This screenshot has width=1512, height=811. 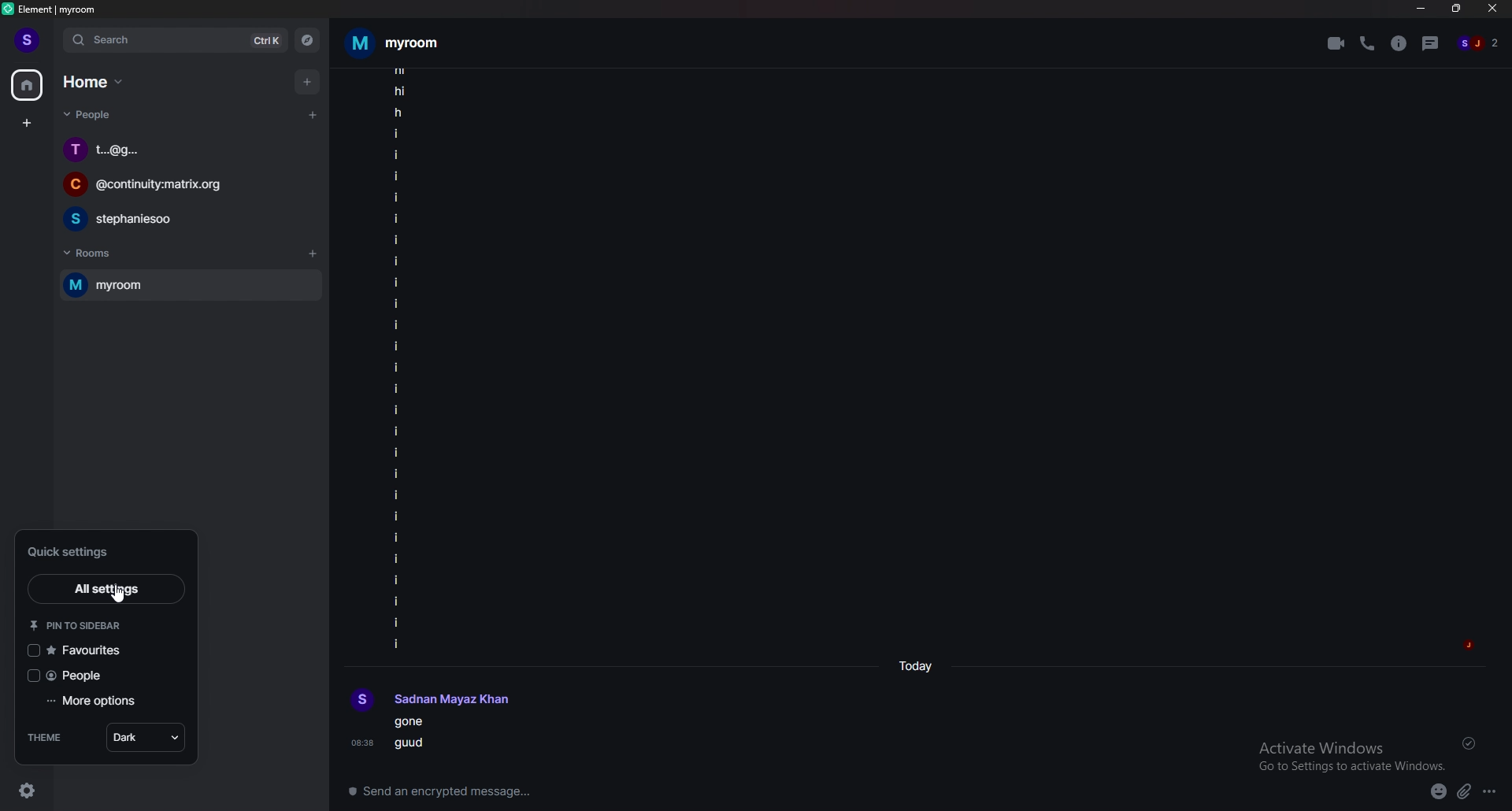 I want to click on quick settings, so click(x=76, y=550).